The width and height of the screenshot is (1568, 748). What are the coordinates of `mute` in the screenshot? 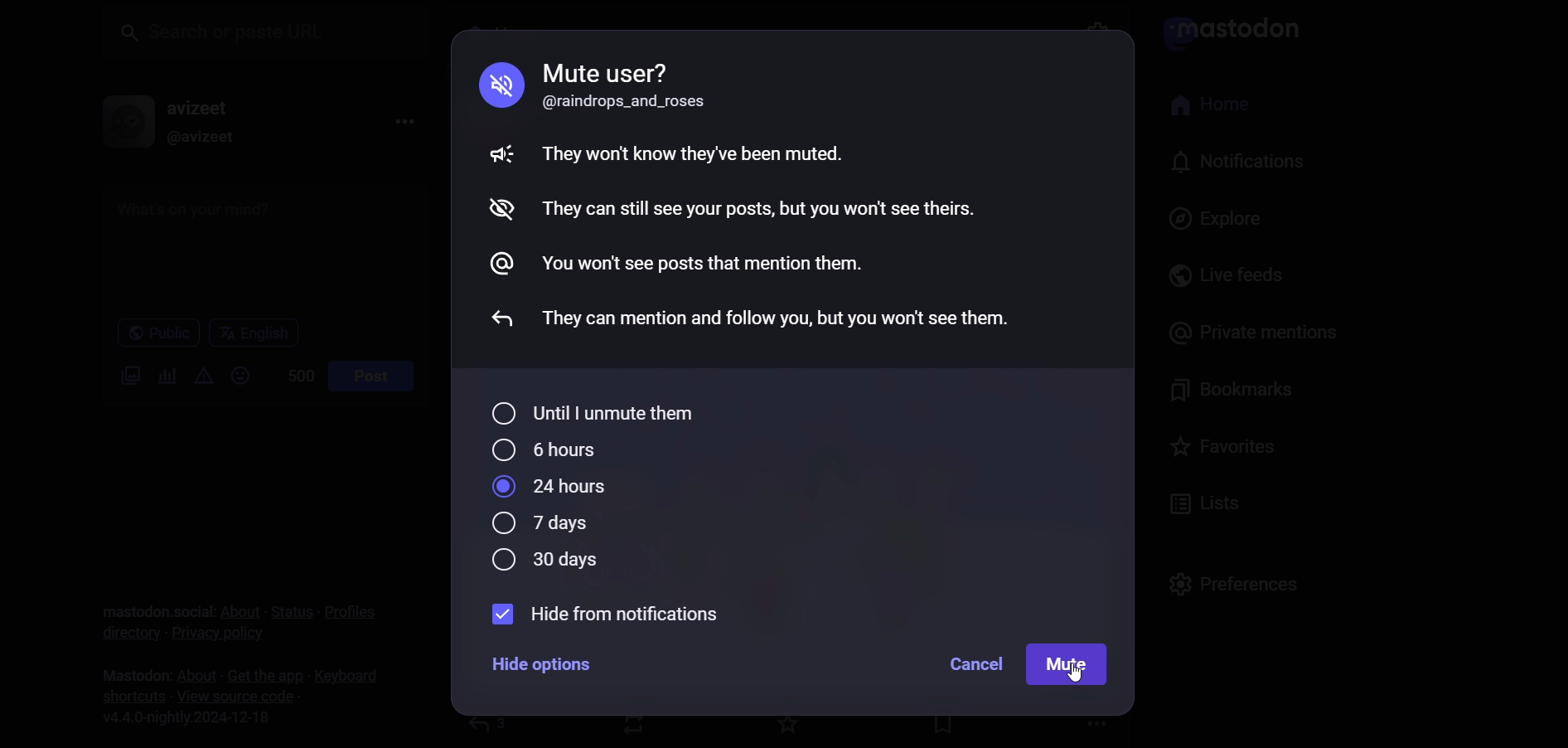 It's located at (1069, 662).